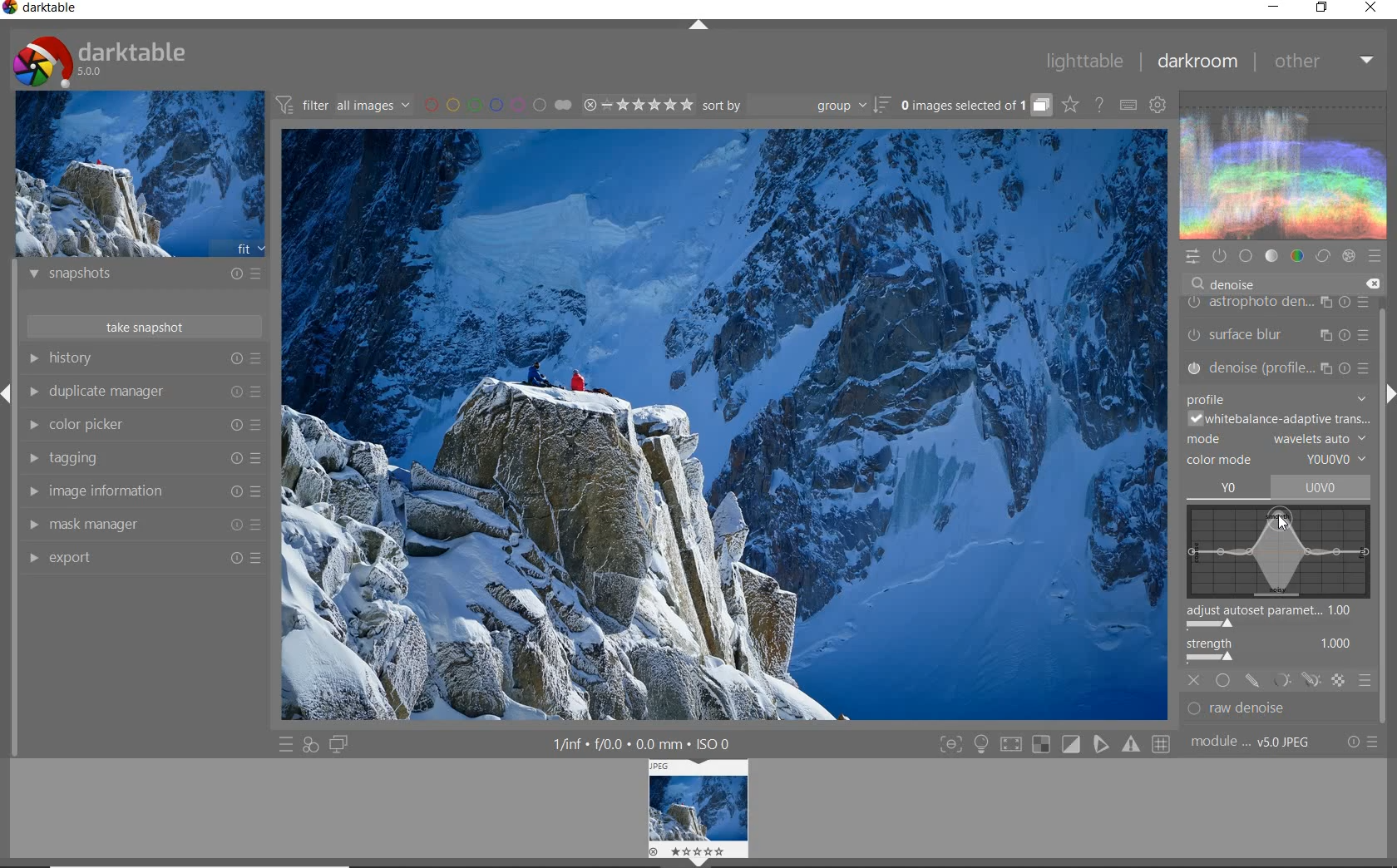  Describe the element at coordinates (1365, 742) in the screenshot. I see `reset or presets and preferences` at that location.